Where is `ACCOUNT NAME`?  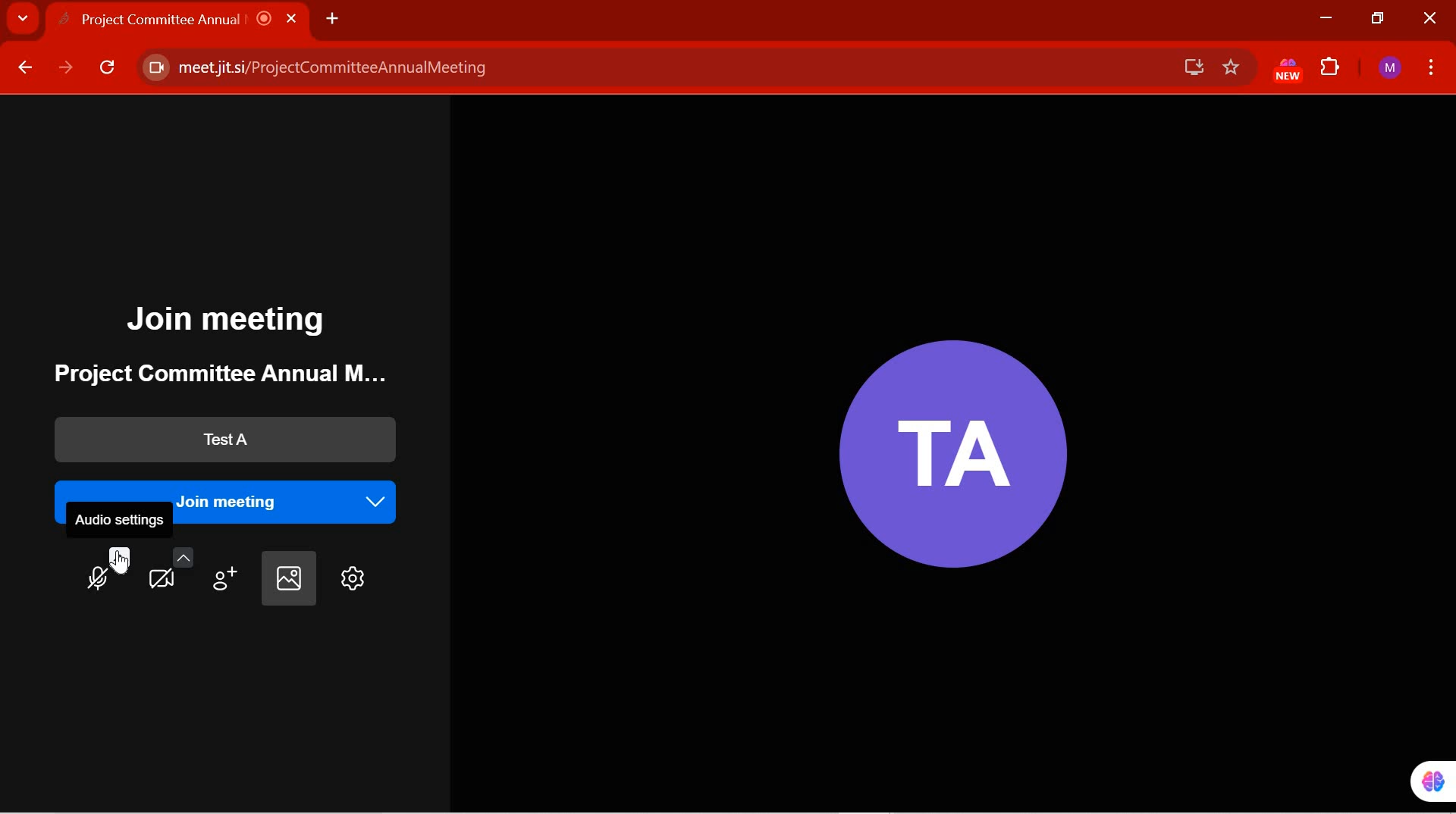 ACCOUNT NAME is located at coordinates (1390, 69).